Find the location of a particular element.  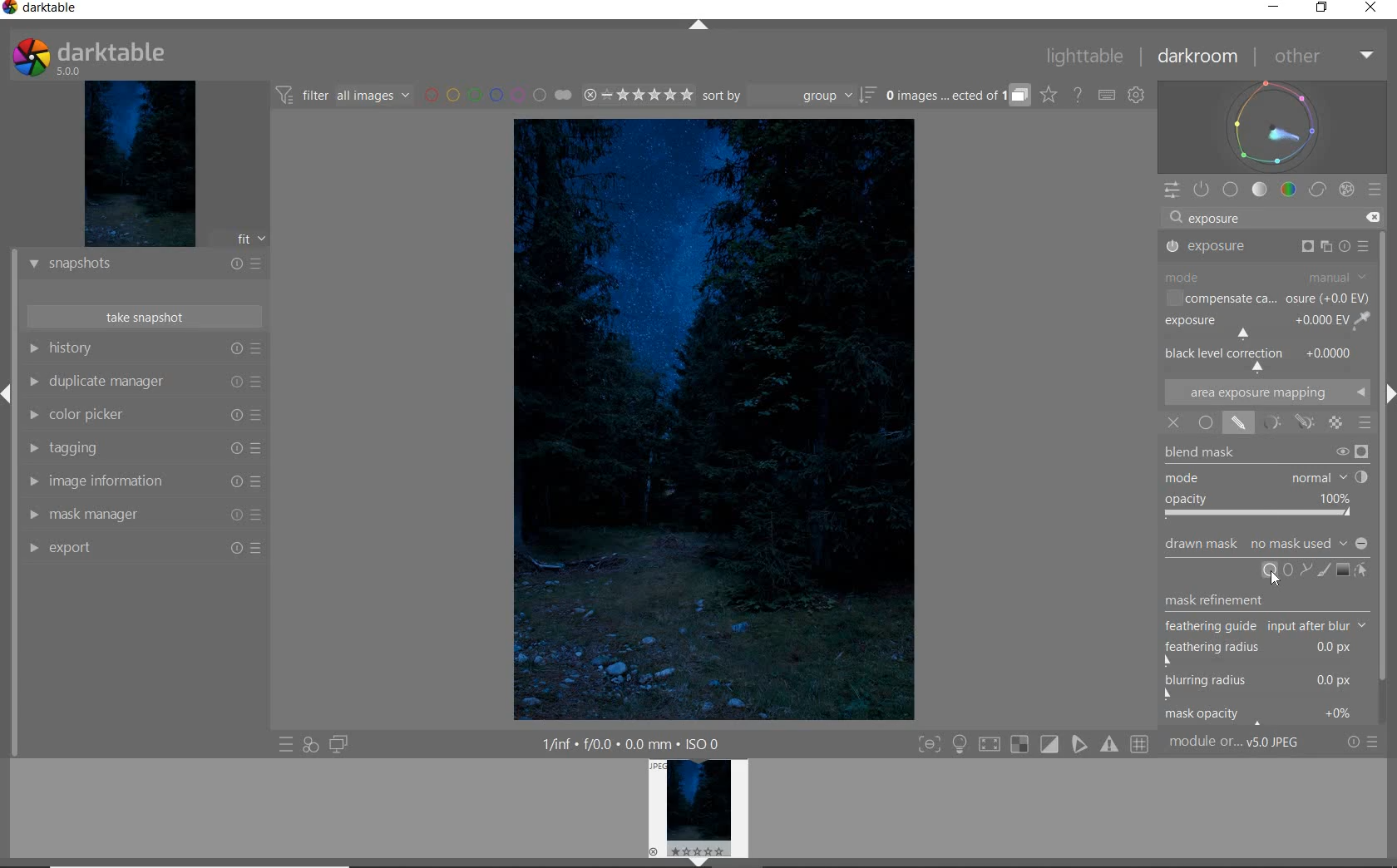

CORRECT is located at coordinates (1319, 189).